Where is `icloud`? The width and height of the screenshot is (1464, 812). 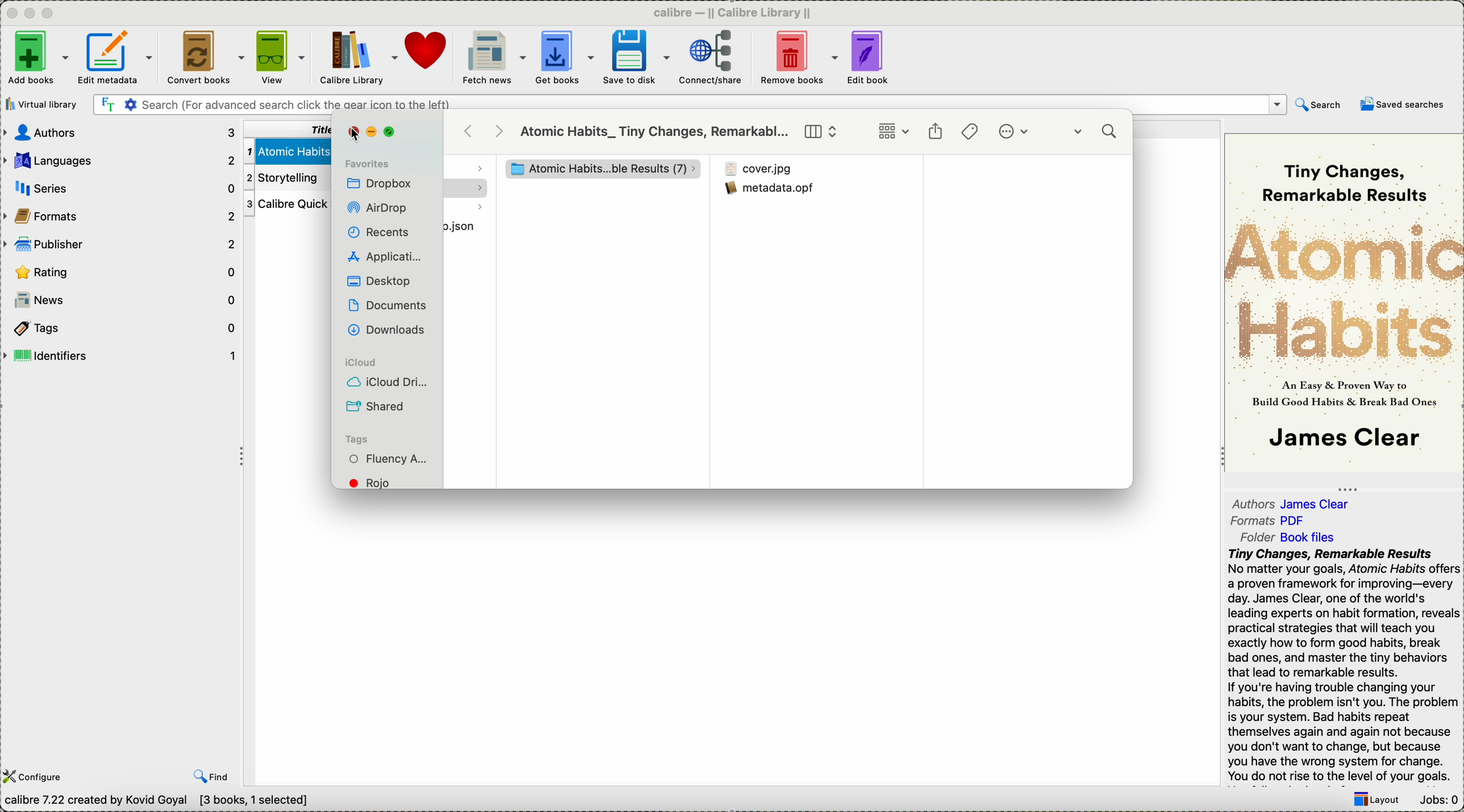 icloud is located at coordinates (364, 363).